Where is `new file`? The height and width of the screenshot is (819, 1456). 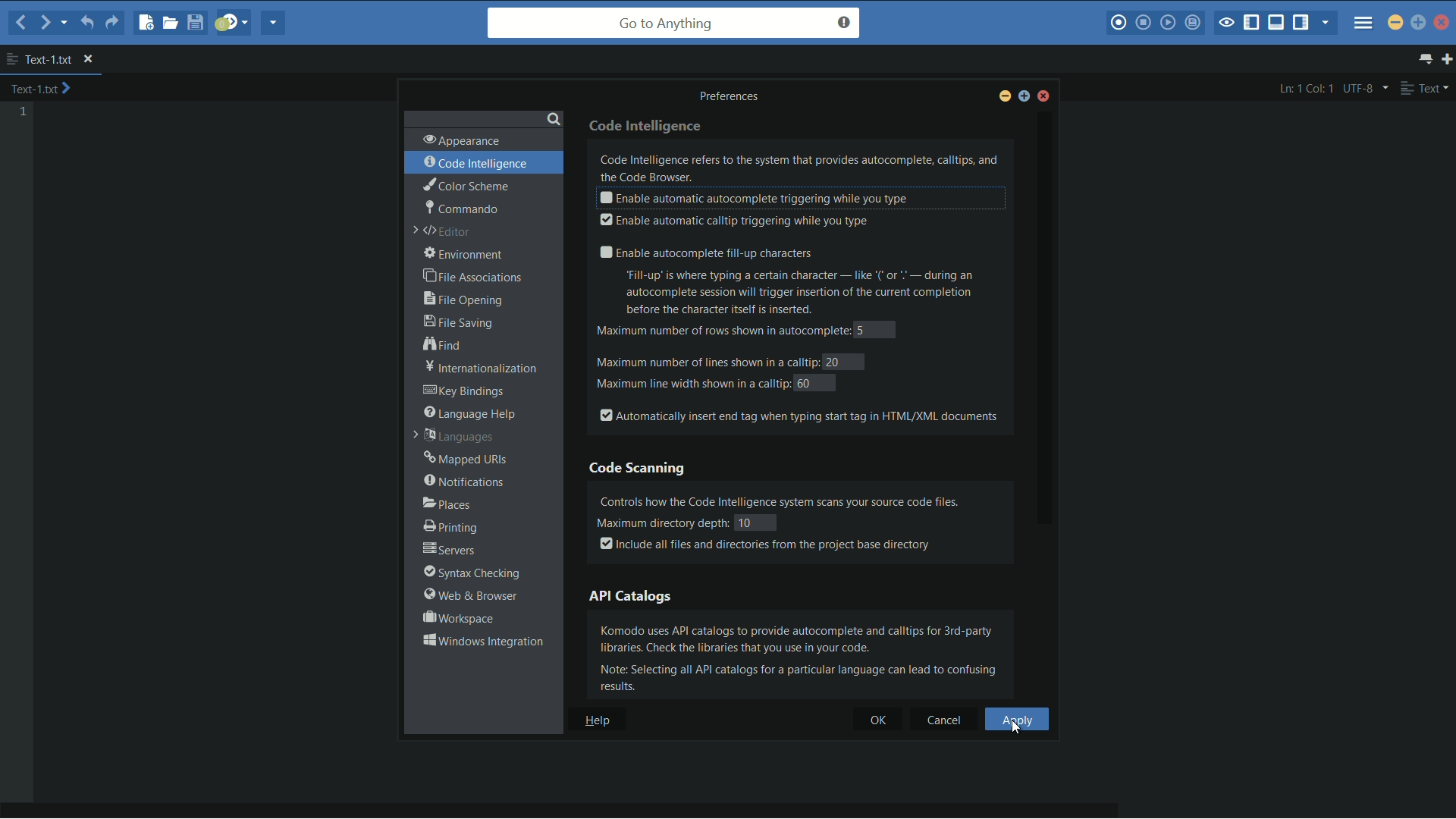 new file is located at coordinates (146, 24).